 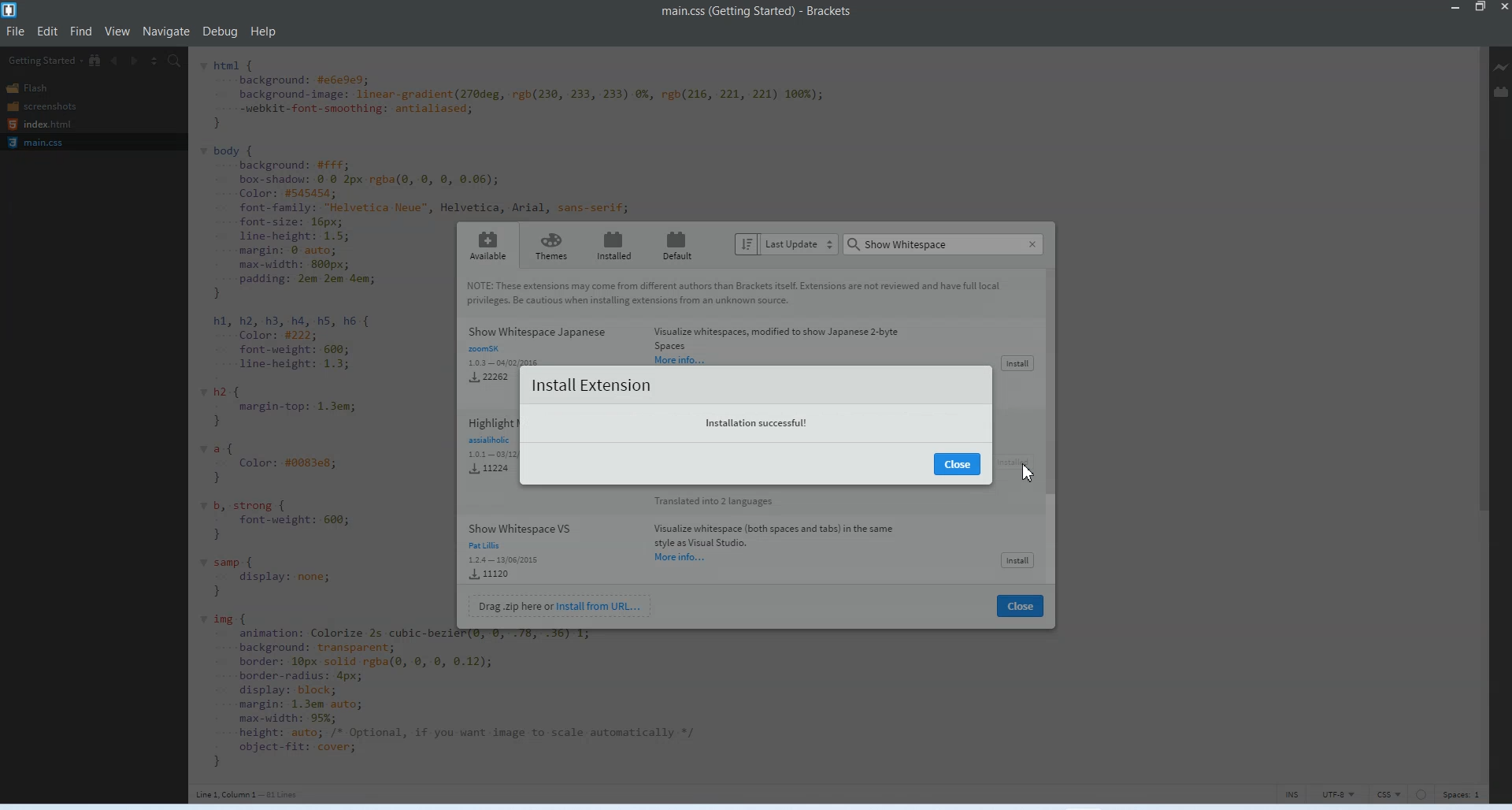 What do you see at coordinates (1456, 8) in the screenshot?
I see `Minimize` at bounding box center [1456, 8].